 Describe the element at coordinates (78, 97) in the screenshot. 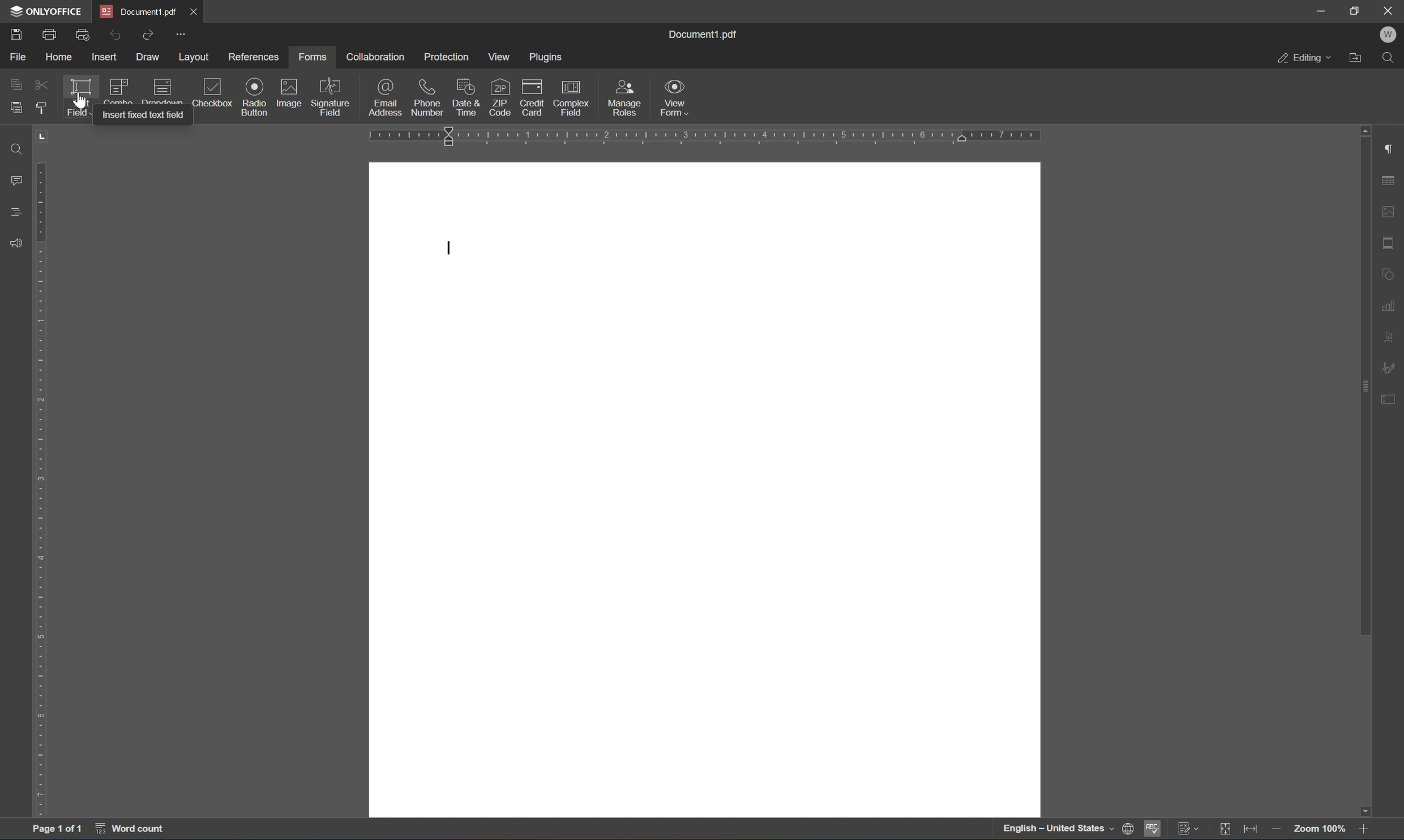

I see `text field` at that location.